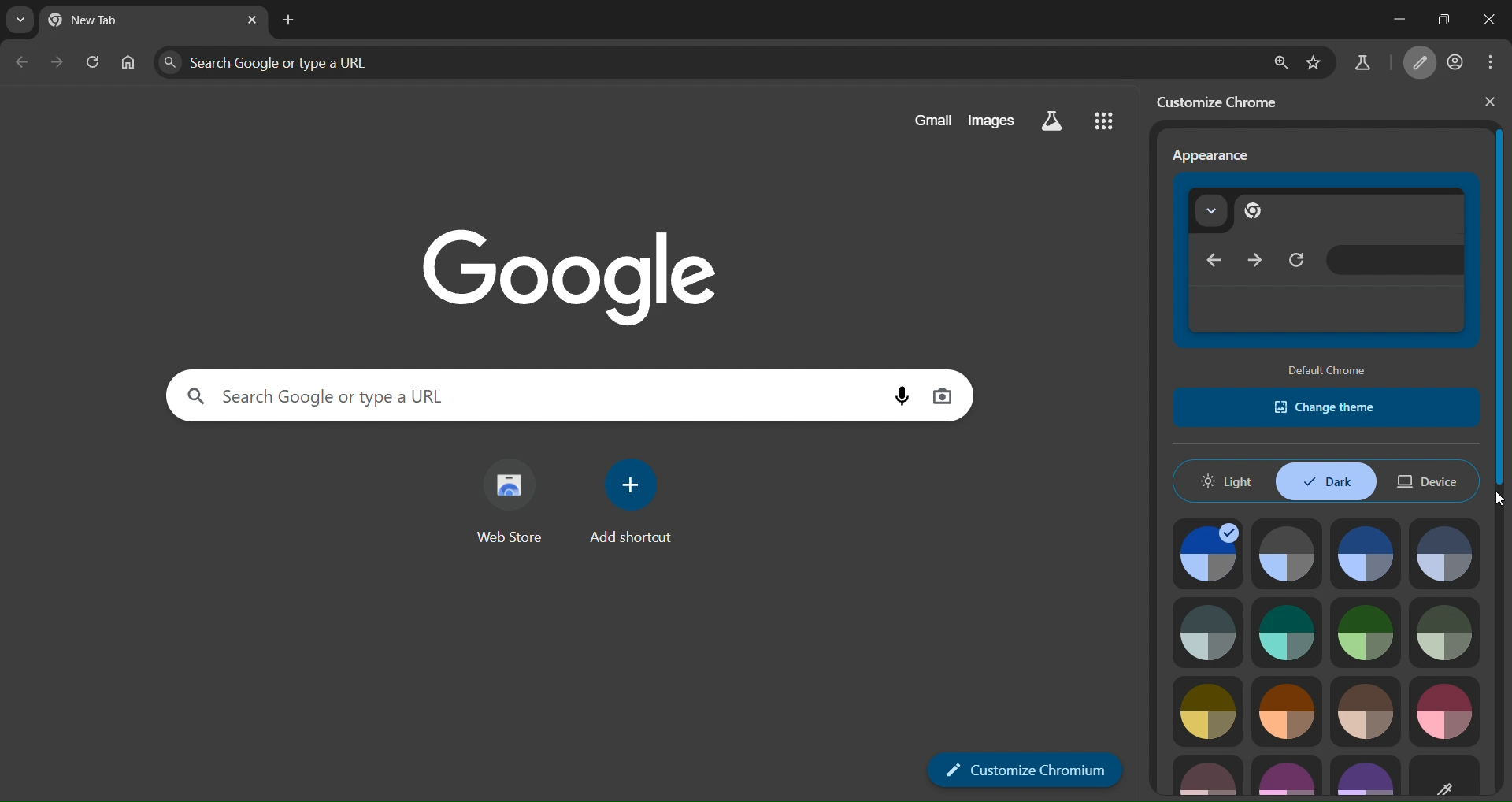 The image size is (1512, 802). I want to click on cursor, so click(1497, 499).